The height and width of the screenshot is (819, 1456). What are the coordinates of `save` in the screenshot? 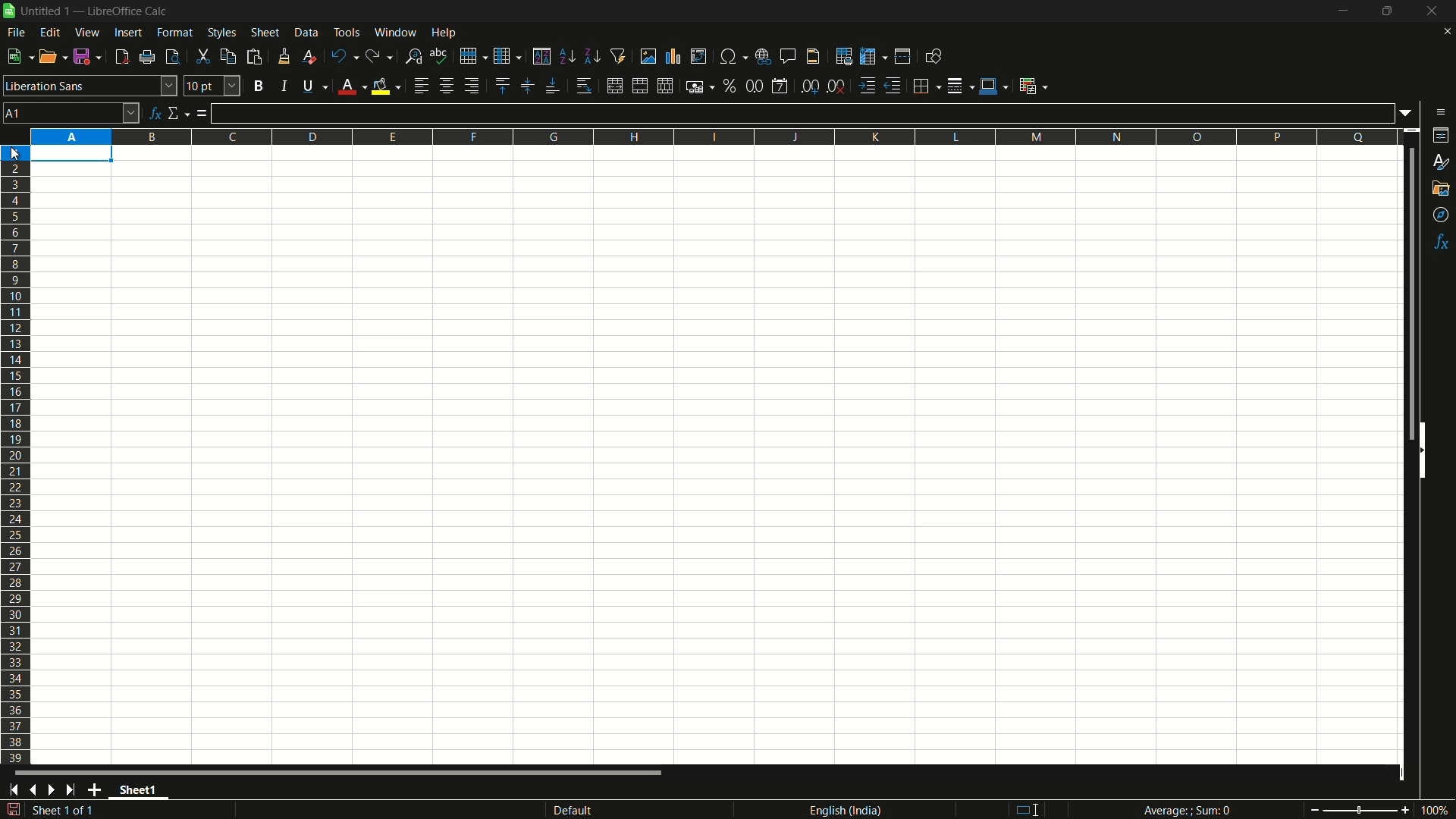 It's located at (89, 57).